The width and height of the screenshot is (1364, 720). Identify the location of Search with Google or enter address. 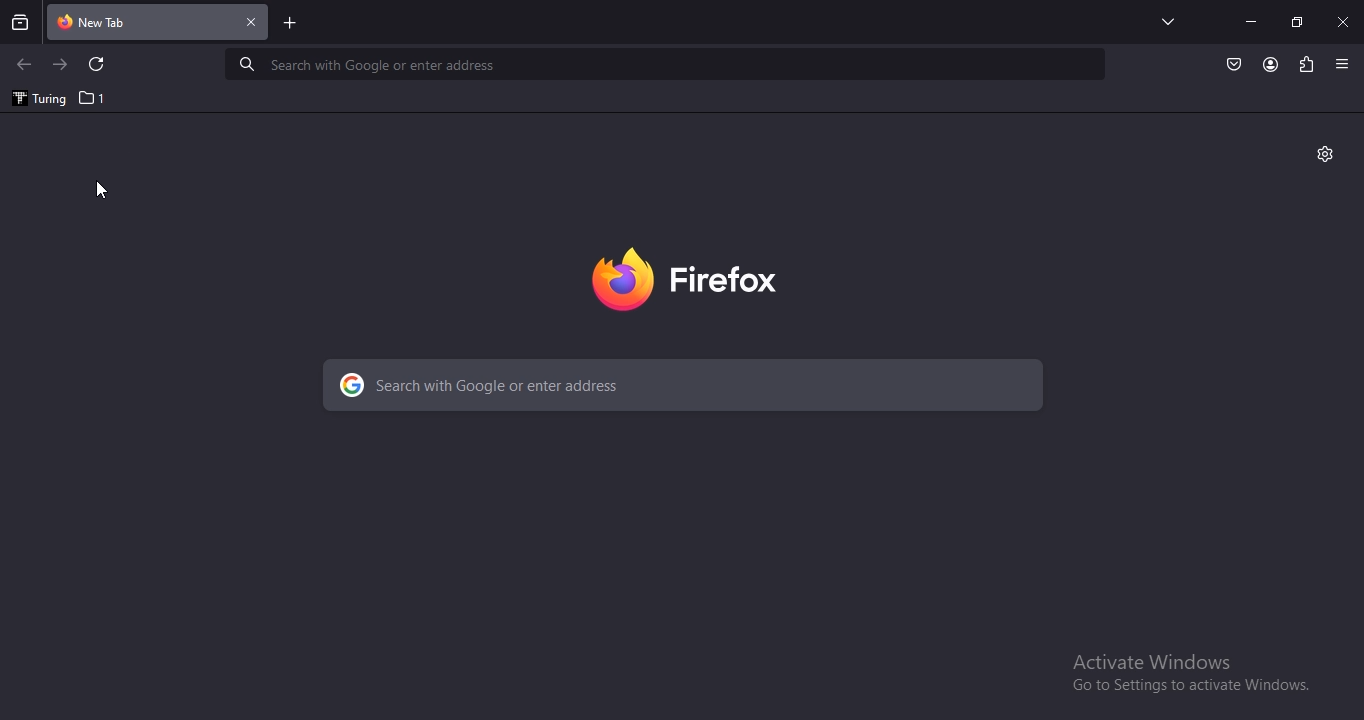
(365, 66).